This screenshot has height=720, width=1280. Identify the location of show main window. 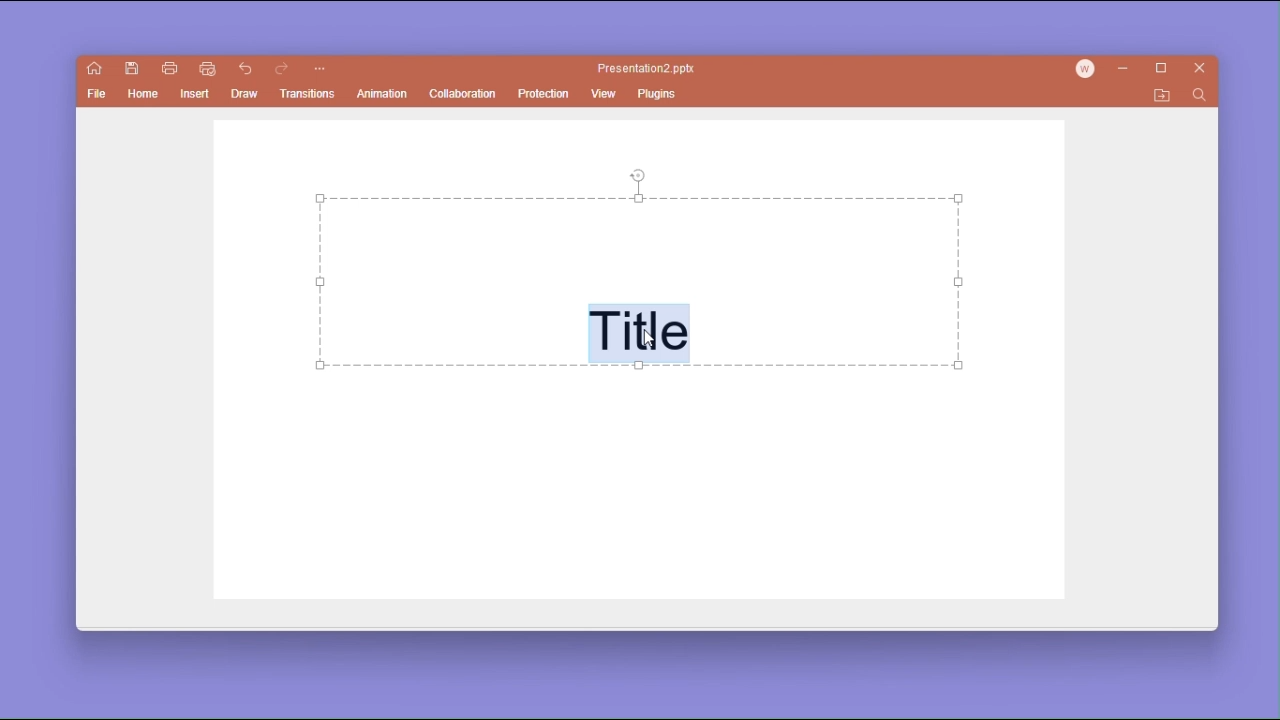
(95, 69).